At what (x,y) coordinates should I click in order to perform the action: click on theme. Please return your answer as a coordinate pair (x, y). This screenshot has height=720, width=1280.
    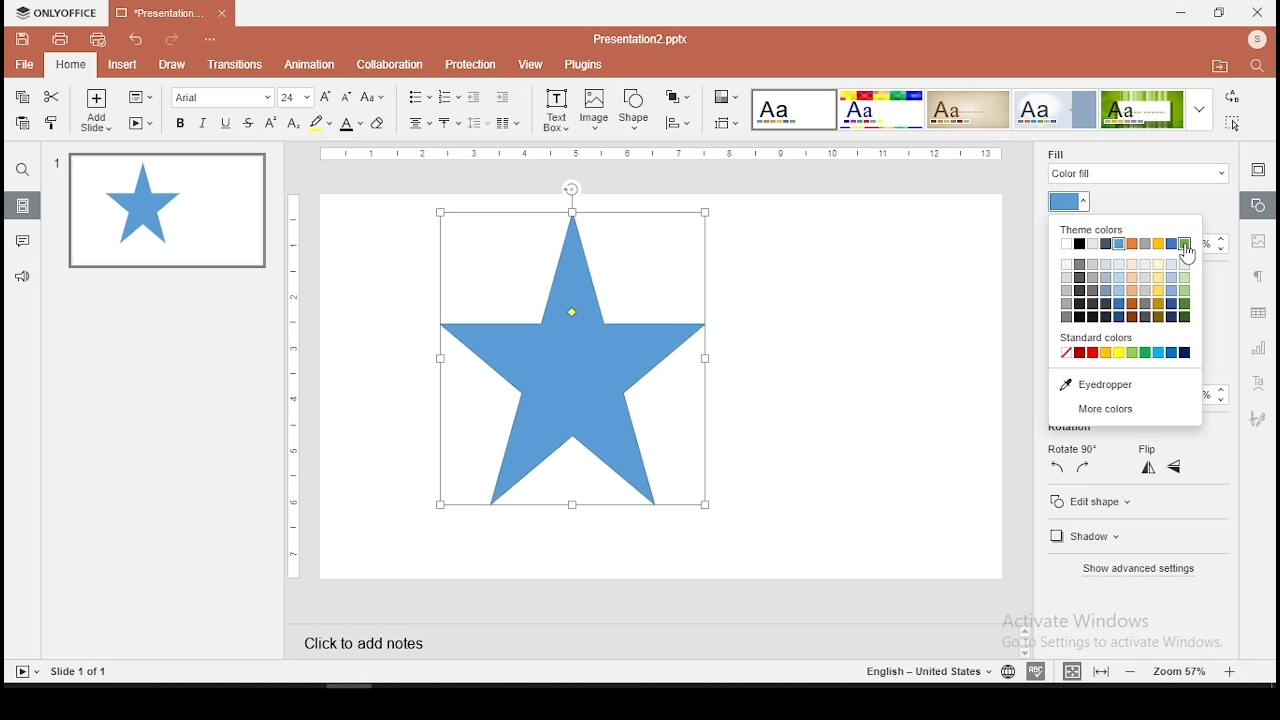
    Looking at the image, I should click on (795, 111).